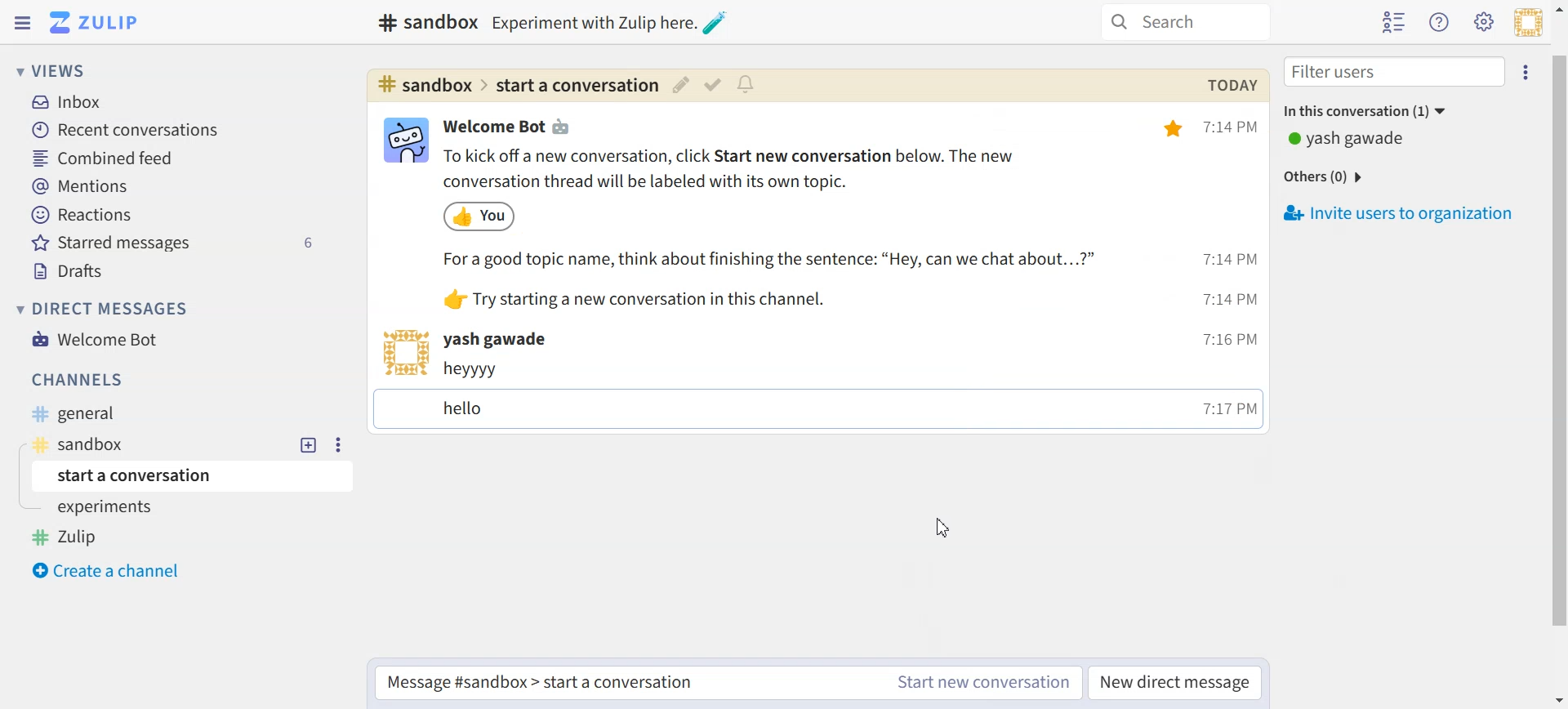 The width and height of the screenshot is (1568, 709). What do you see at coordinates (1528, 22) in the screenshot?
I see `Personal menu` at bounding box center [1528, 22].